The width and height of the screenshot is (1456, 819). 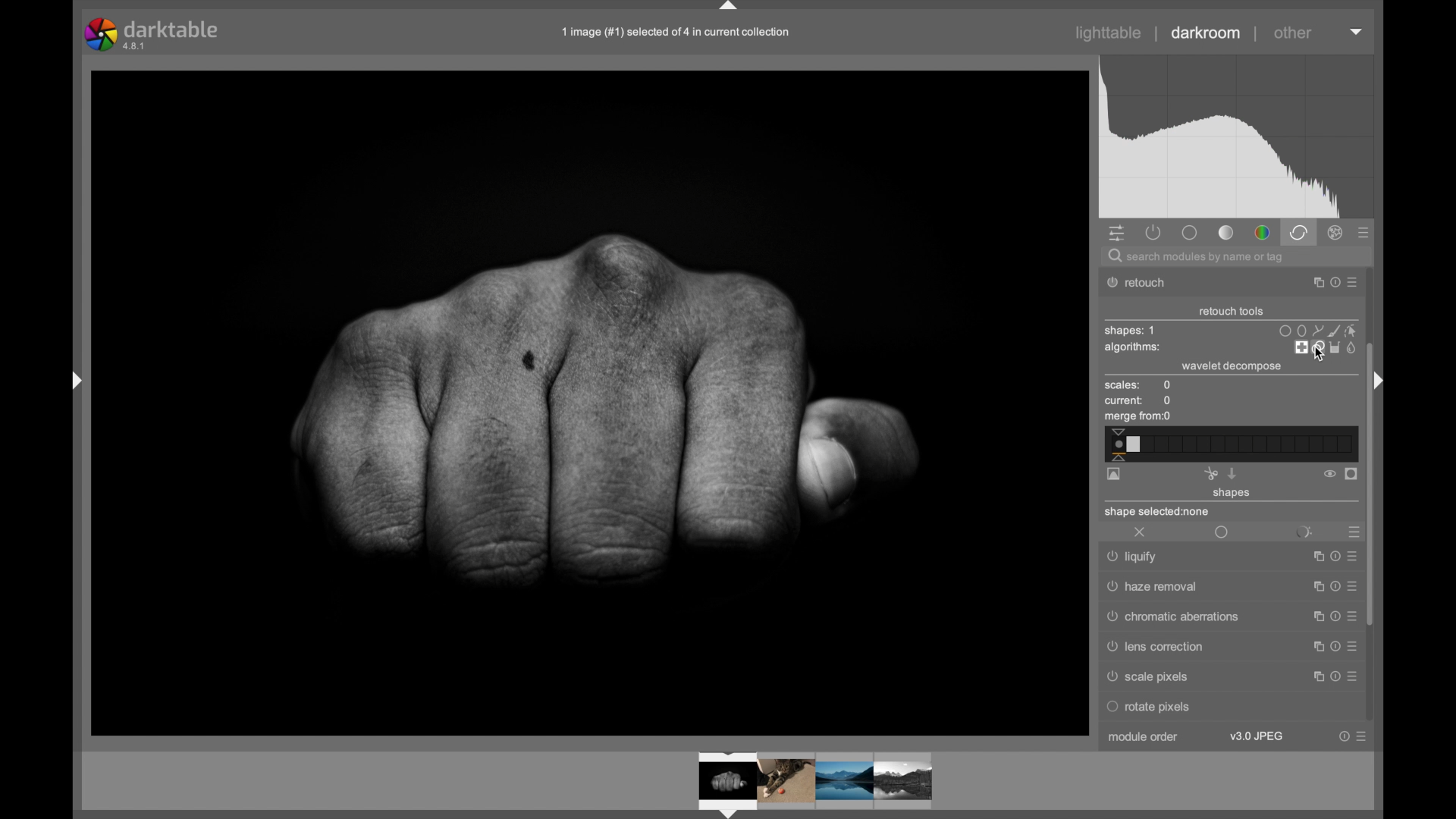 What do you see at coordinates (1109, 33) in the screenshot?
I see `lighttable` at bounding box center [1109, 33].